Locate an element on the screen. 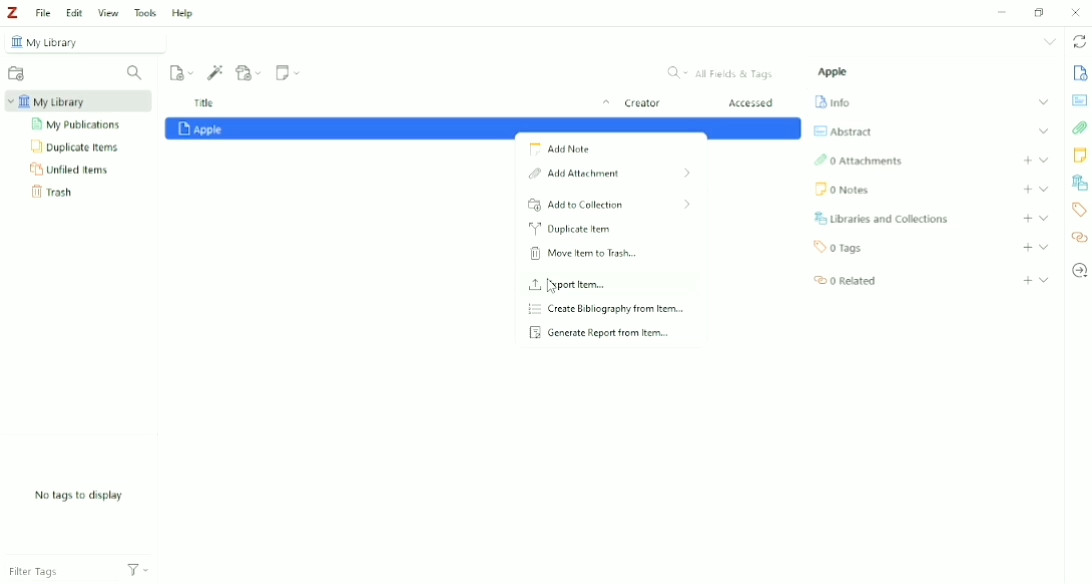  Libraries and Collections is located at coordinates (884, 218).